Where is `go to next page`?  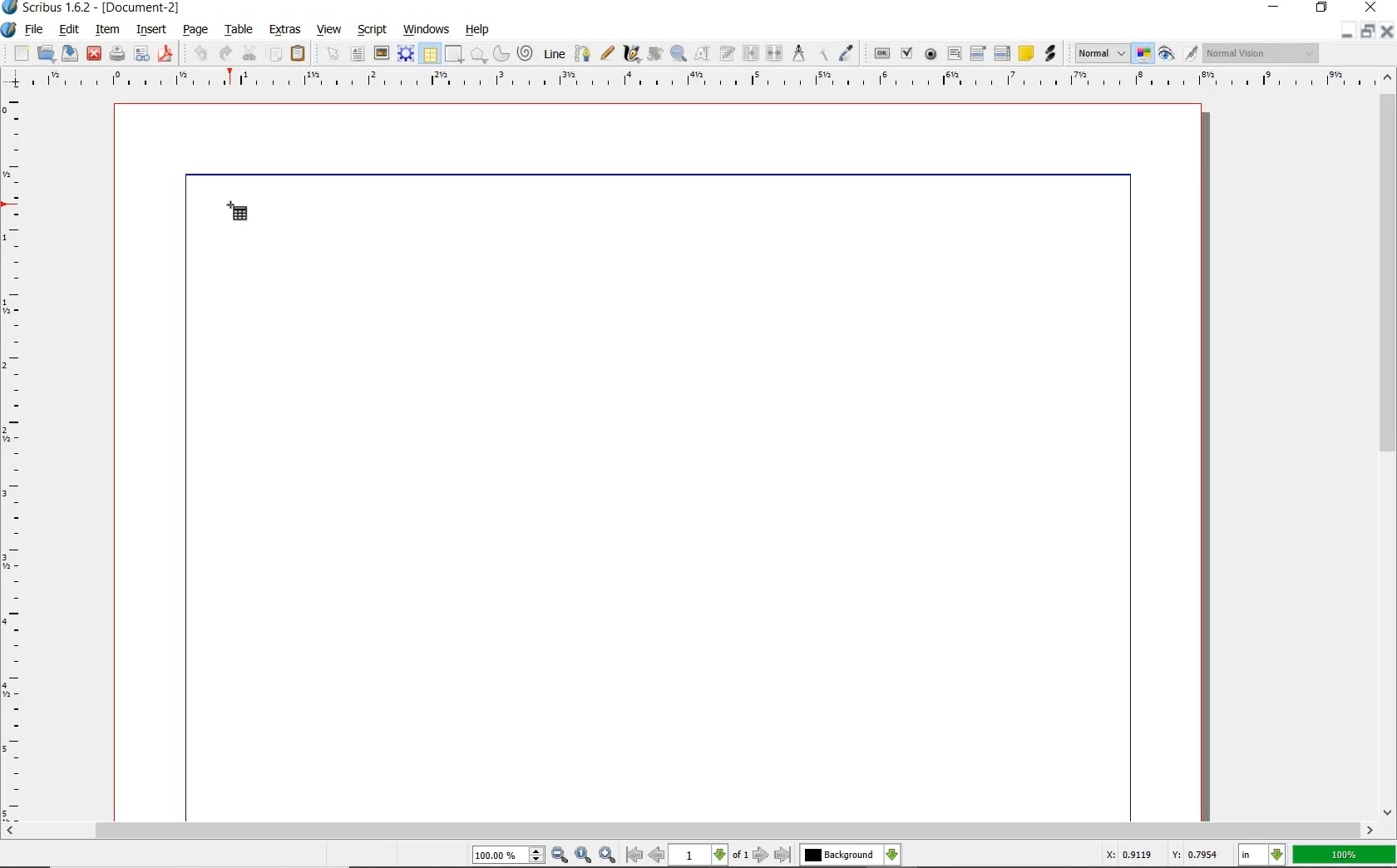
go to next page is located at coordinates (762, 856).